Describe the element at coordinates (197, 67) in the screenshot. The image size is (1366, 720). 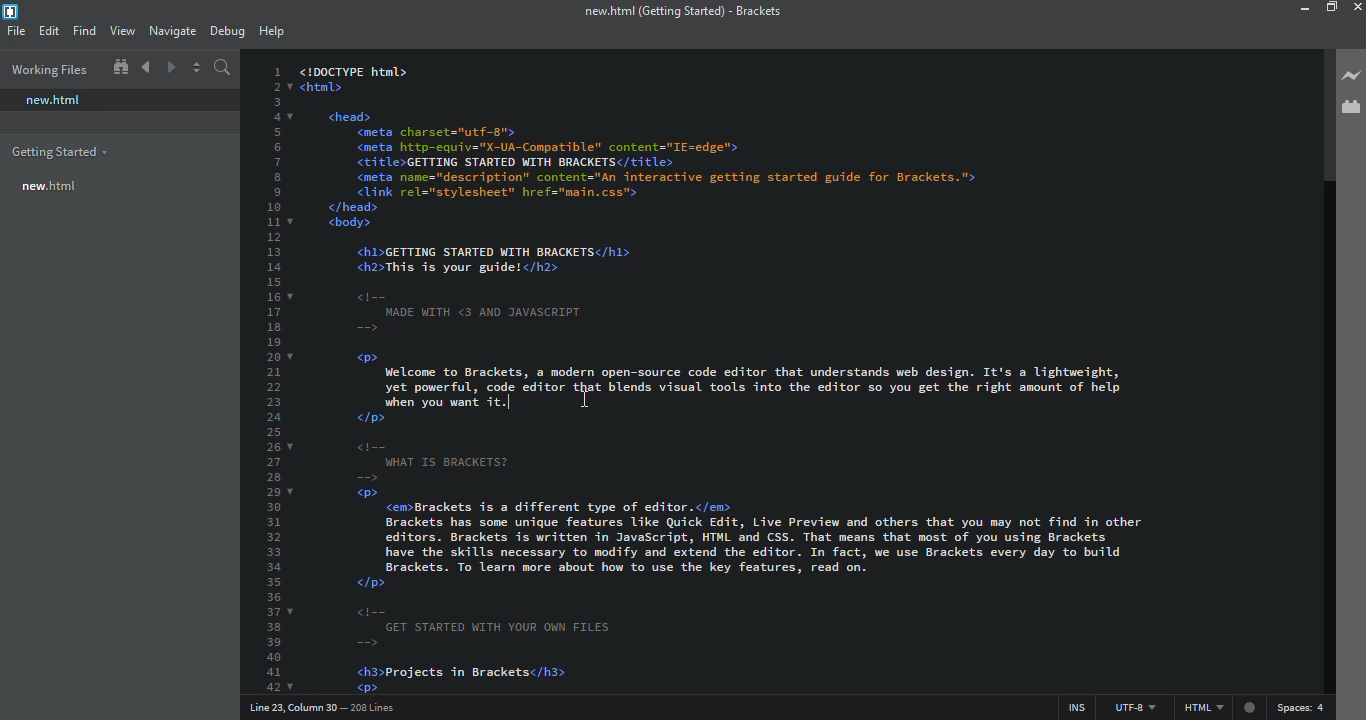
I see `split editor` at that location.